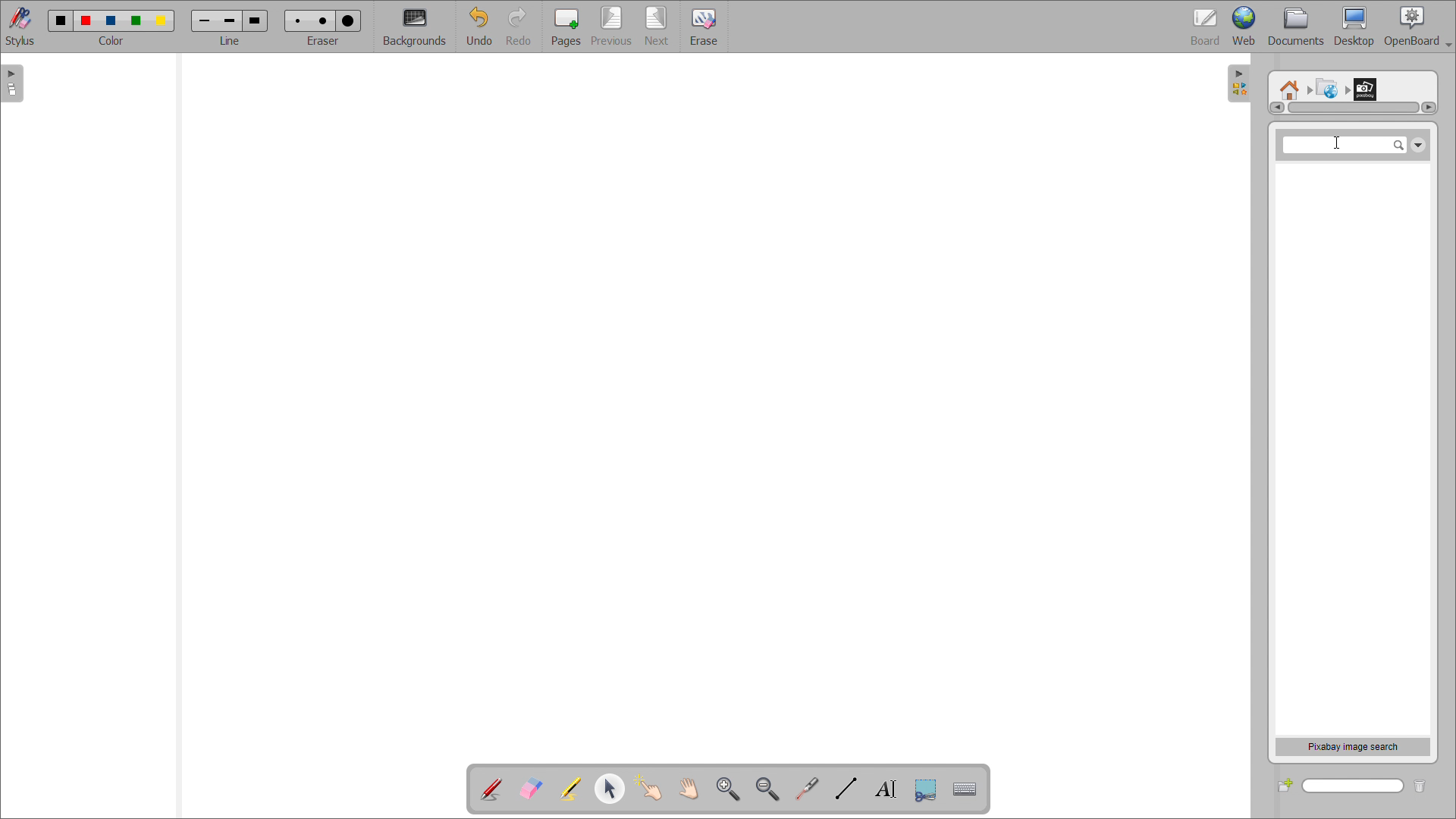  I want to click on Large line, so click(256, 20).